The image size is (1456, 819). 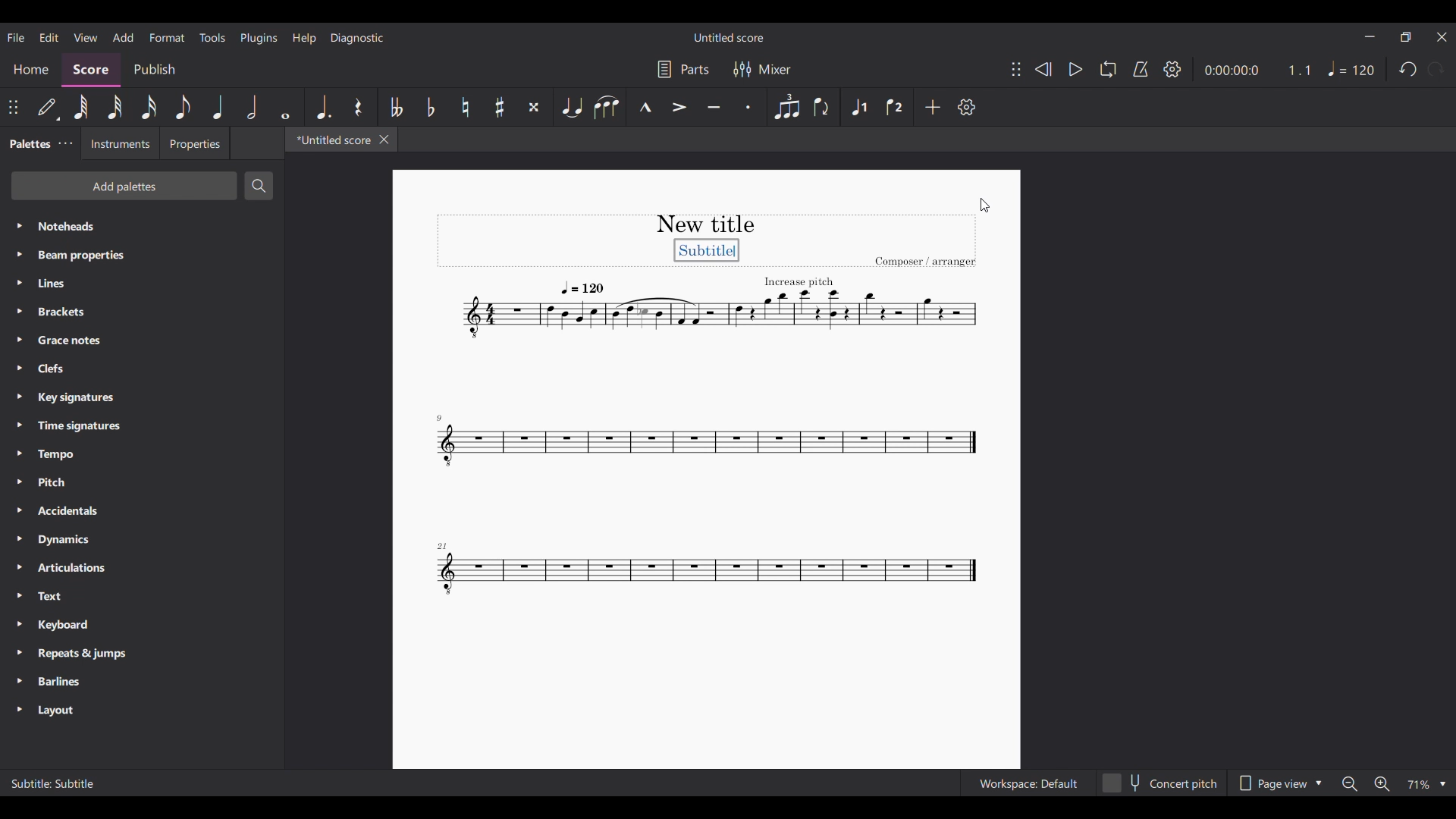 What do you see at coordinates (1426, 783) in the screenshot?
I see `Zoom options` at bounding box center [1426, 783].